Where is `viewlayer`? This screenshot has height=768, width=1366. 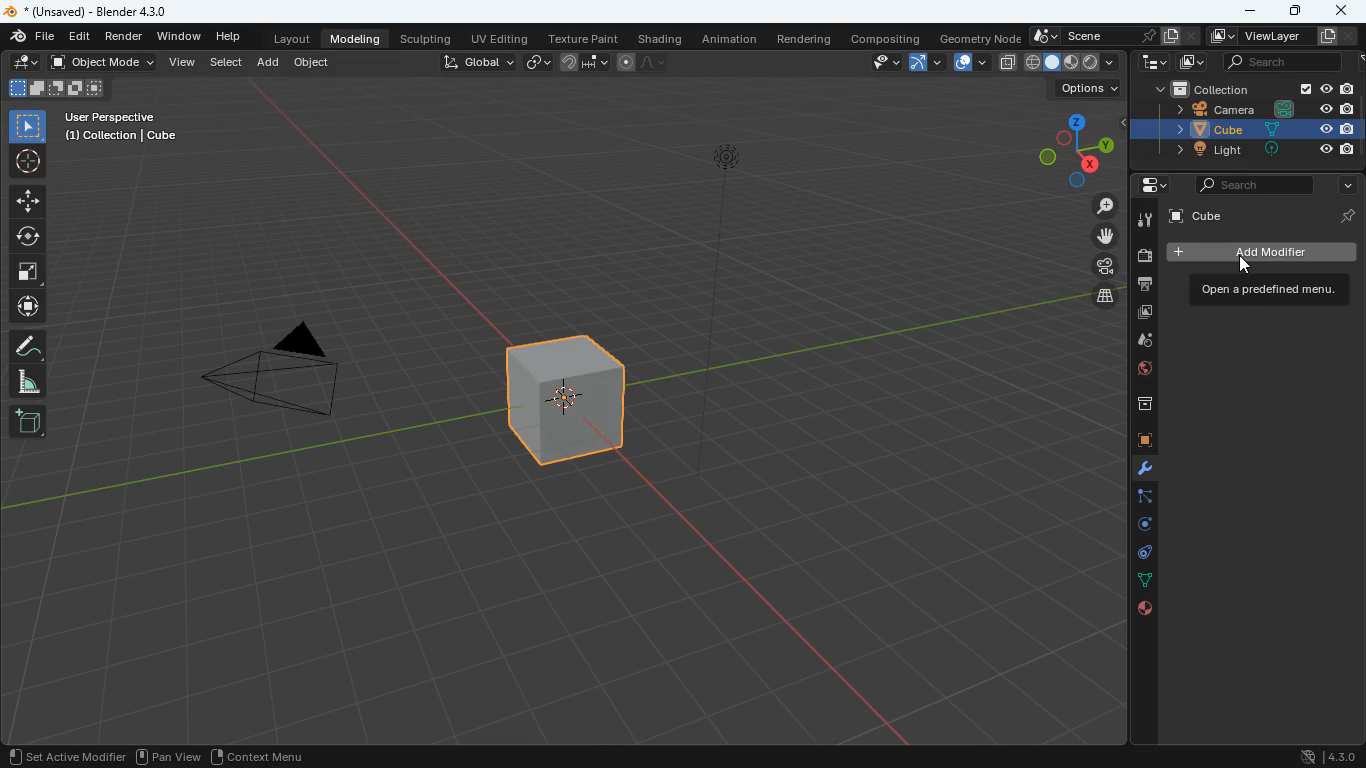
viewlayer is located at coordinates (1285, 35).